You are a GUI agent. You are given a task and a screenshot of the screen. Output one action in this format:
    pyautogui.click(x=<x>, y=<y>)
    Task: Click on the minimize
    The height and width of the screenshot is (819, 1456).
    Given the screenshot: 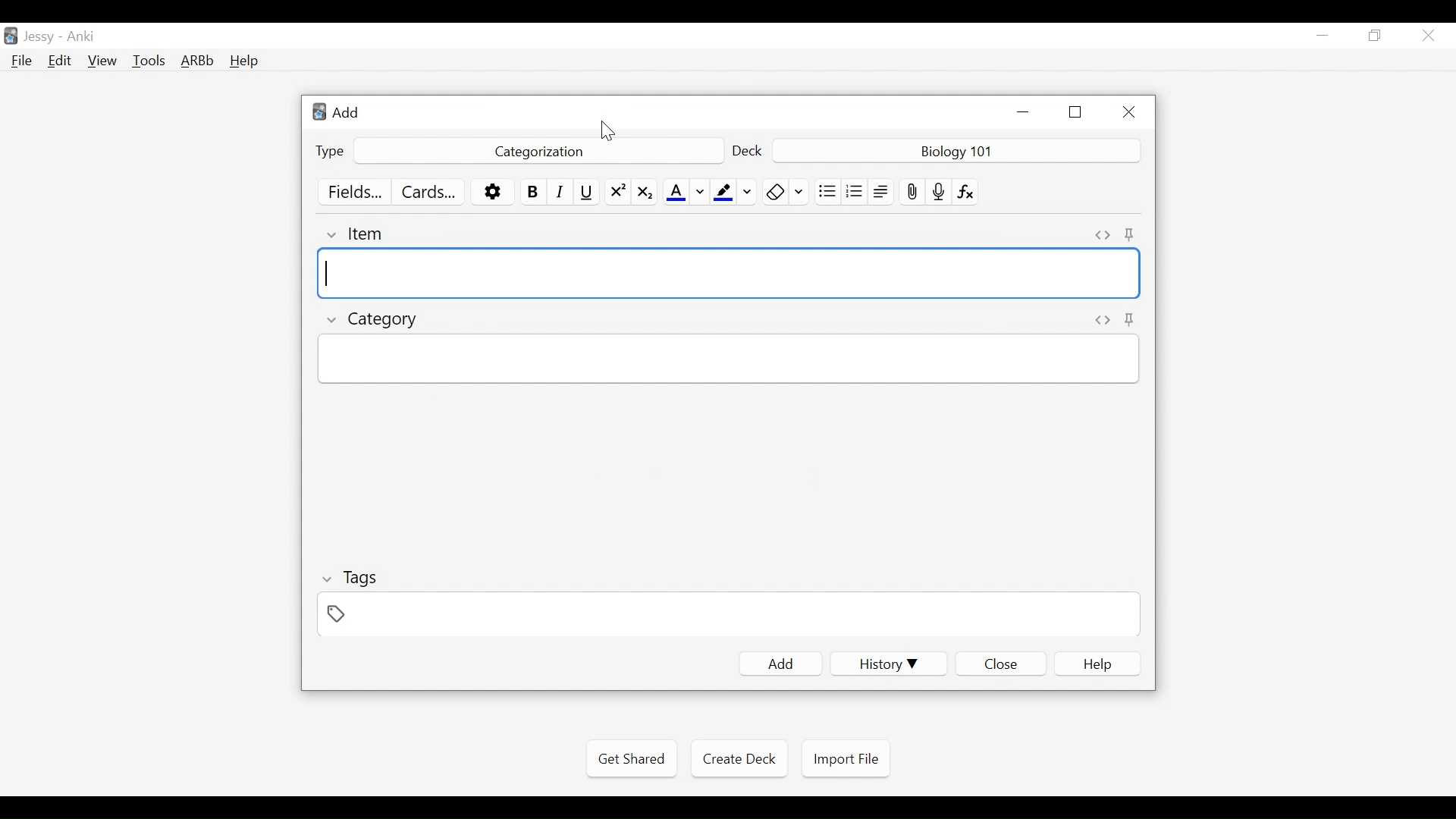 What is the action you would take?
    pyautogui.click(x=1022, y=111)
    